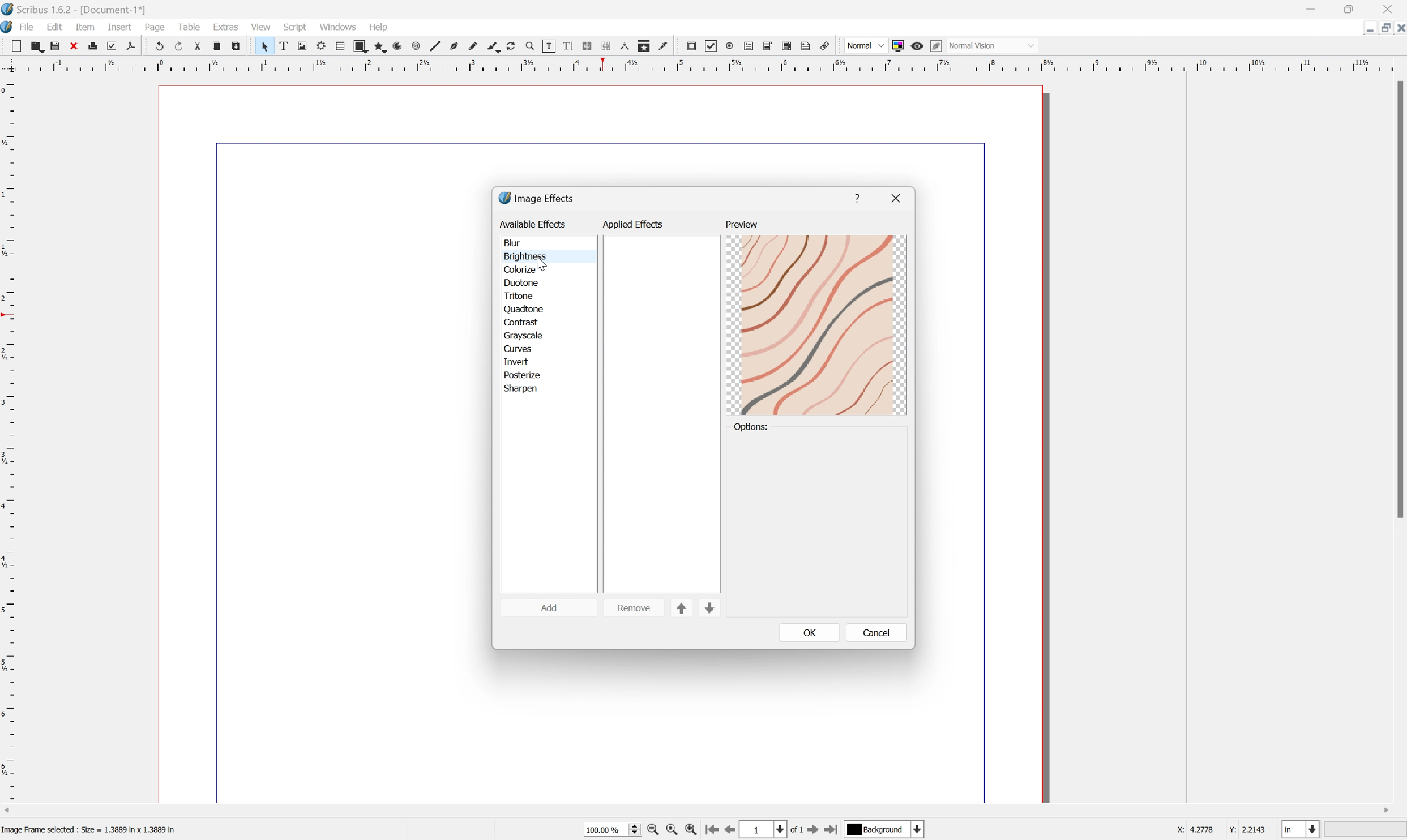 The height and width of the screenshot is (840, 1407). What do you see at coordinates (733, 830) in the screenshot?
I see `Previous Page` at bounding box center [733, 830].